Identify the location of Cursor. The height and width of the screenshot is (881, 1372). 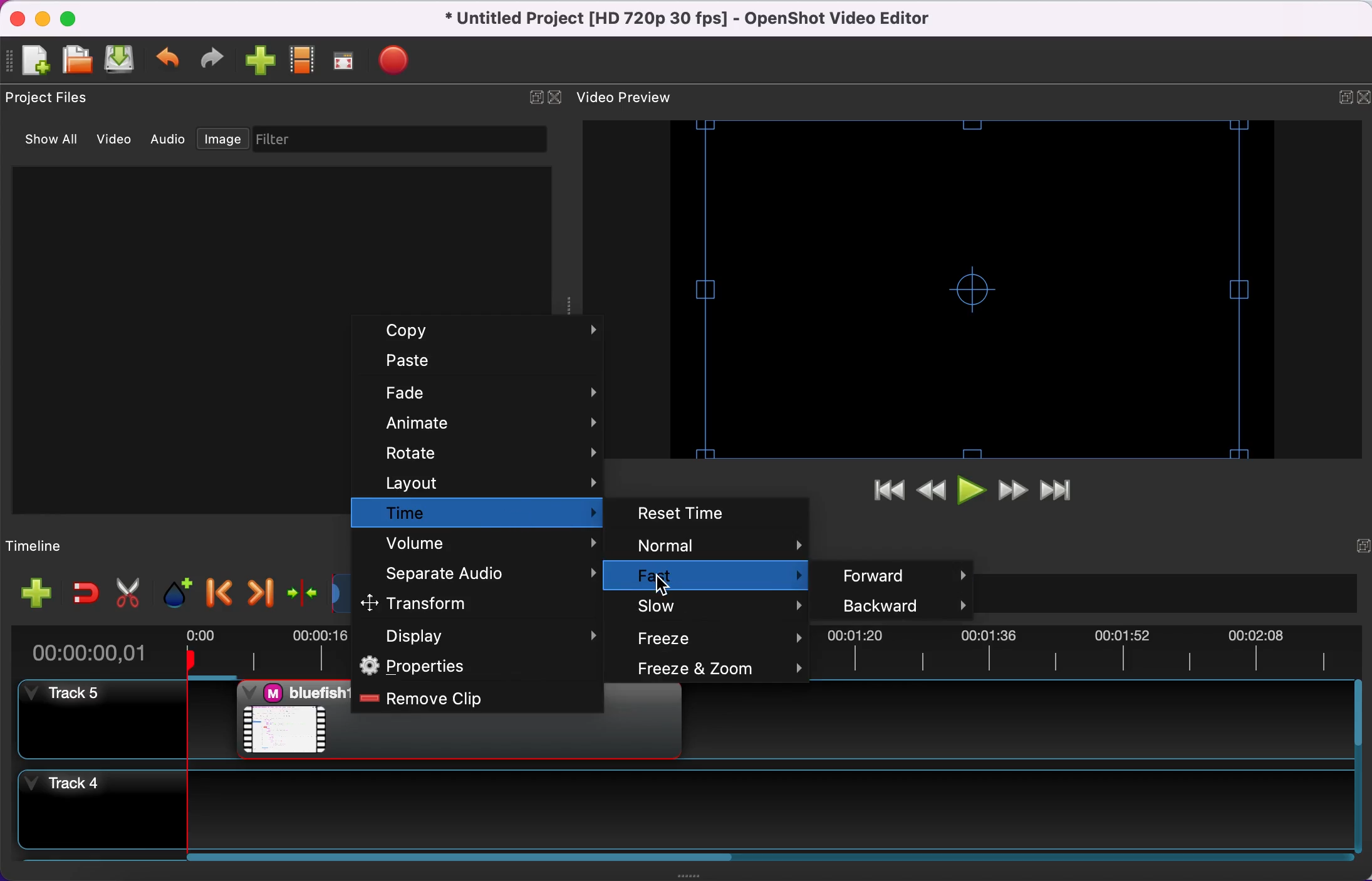
(662, 585).